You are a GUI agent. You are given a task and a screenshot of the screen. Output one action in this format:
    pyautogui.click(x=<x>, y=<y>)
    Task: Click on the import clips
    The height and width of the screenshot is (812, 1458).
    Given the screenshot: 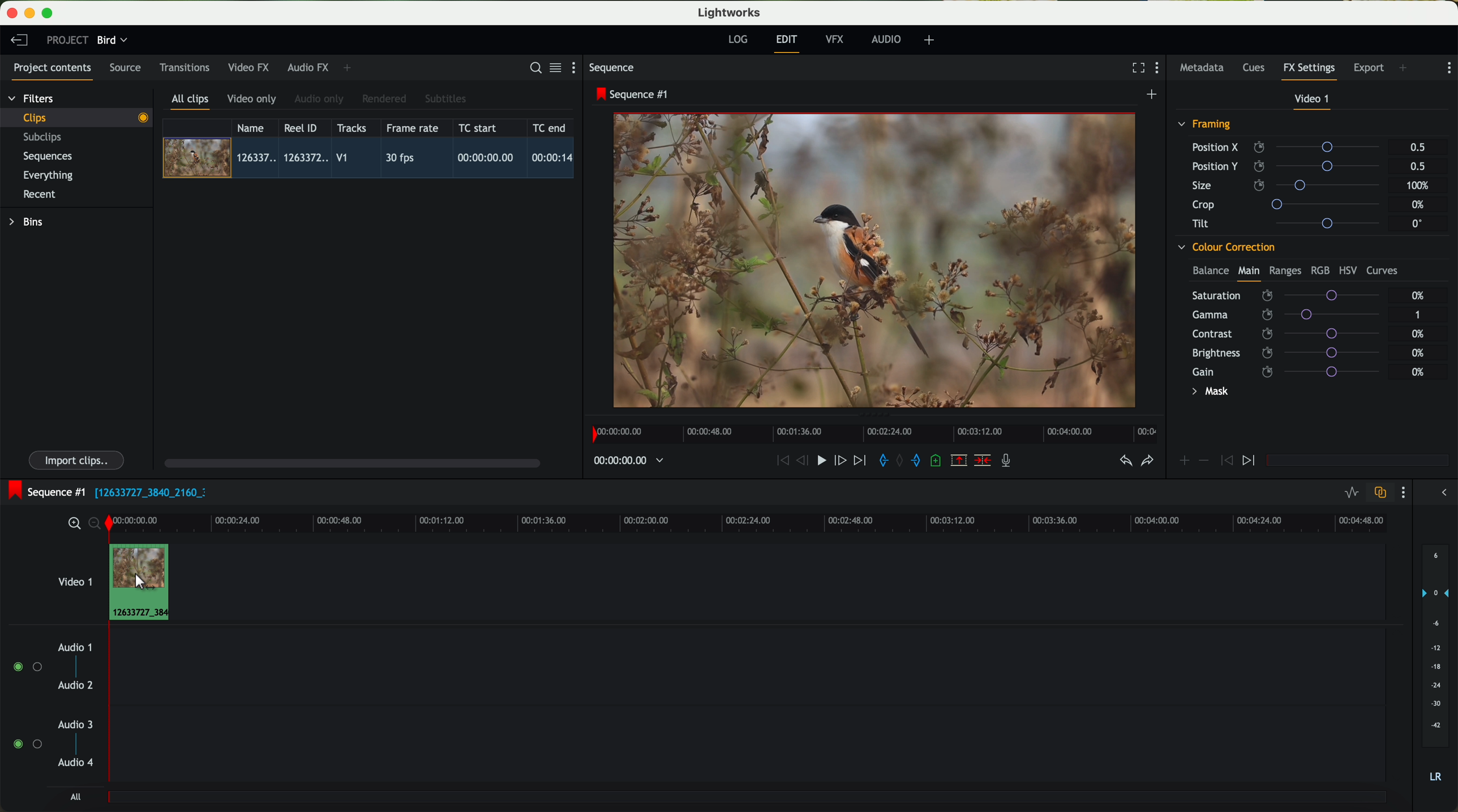 What is the action you would take?
    pyautogui.click(x=78, y=459)
    